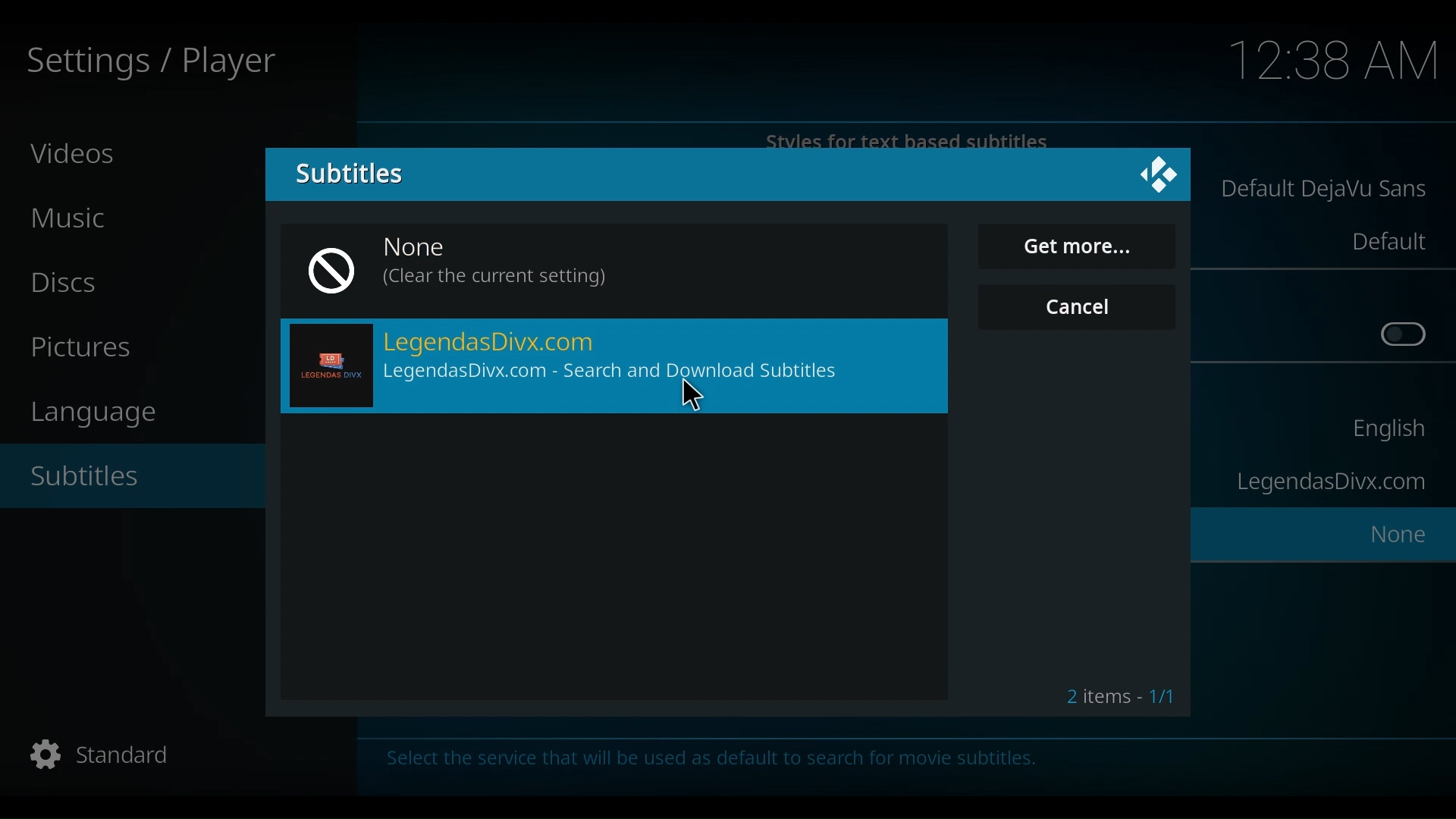 This screenshot has width=1456, height=819. I want to click on language, so click(102, 413).